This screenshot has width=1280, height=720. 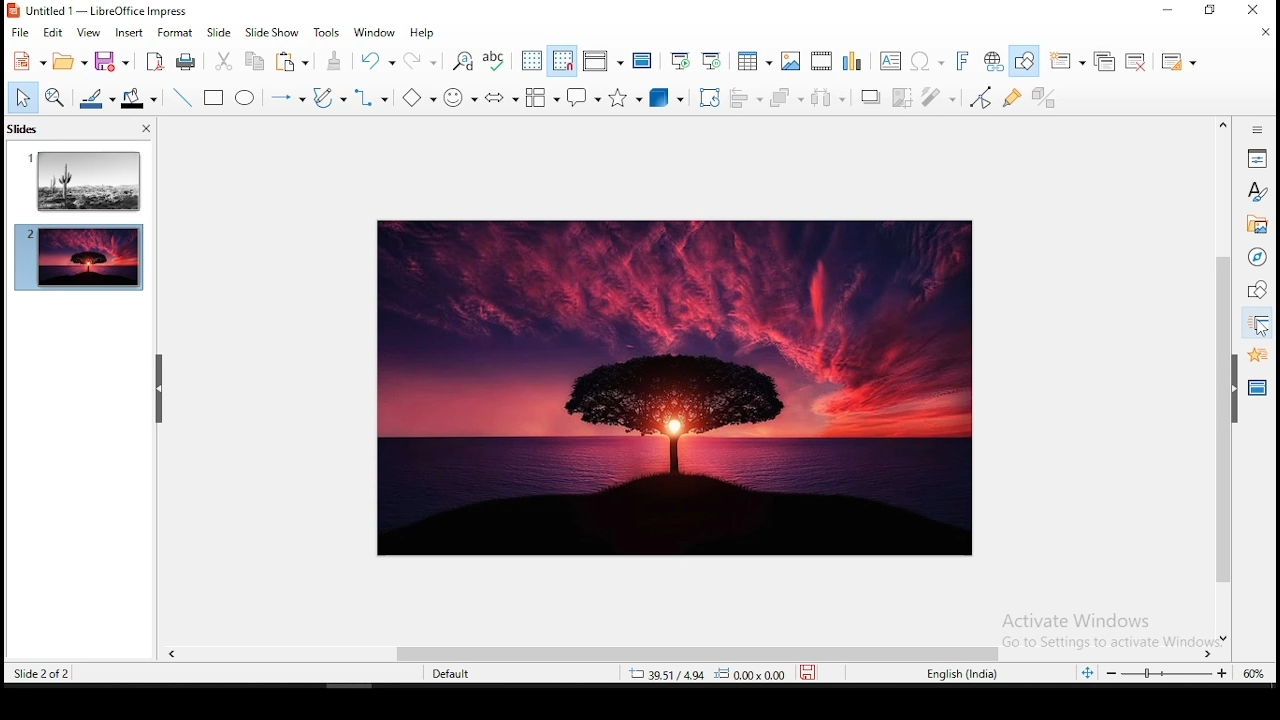 I want to click on close, so click(x=146, y=128).